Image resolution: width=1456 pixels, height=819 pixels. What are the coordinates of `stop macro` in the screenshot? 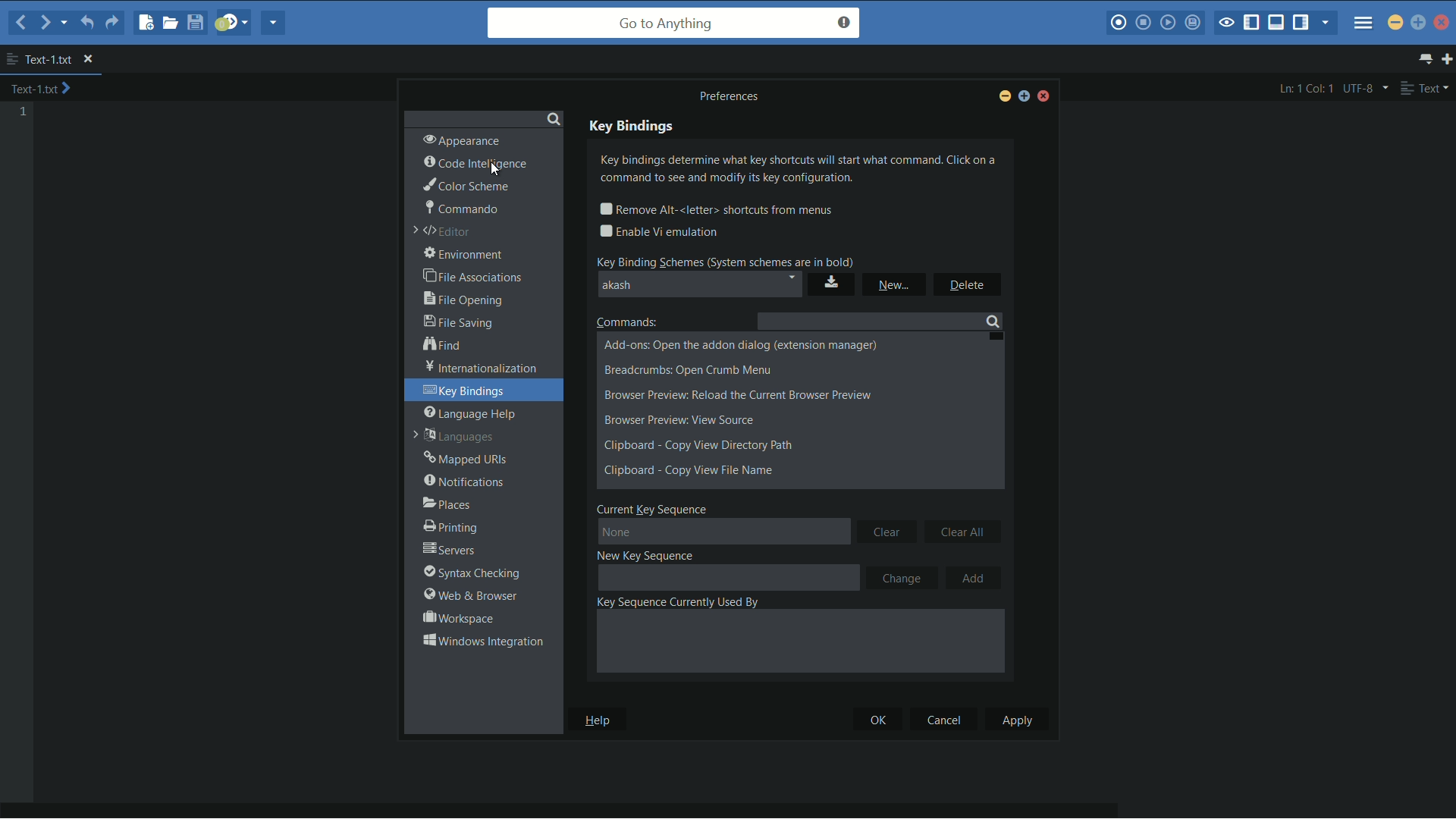 It's located at (1144, 24).